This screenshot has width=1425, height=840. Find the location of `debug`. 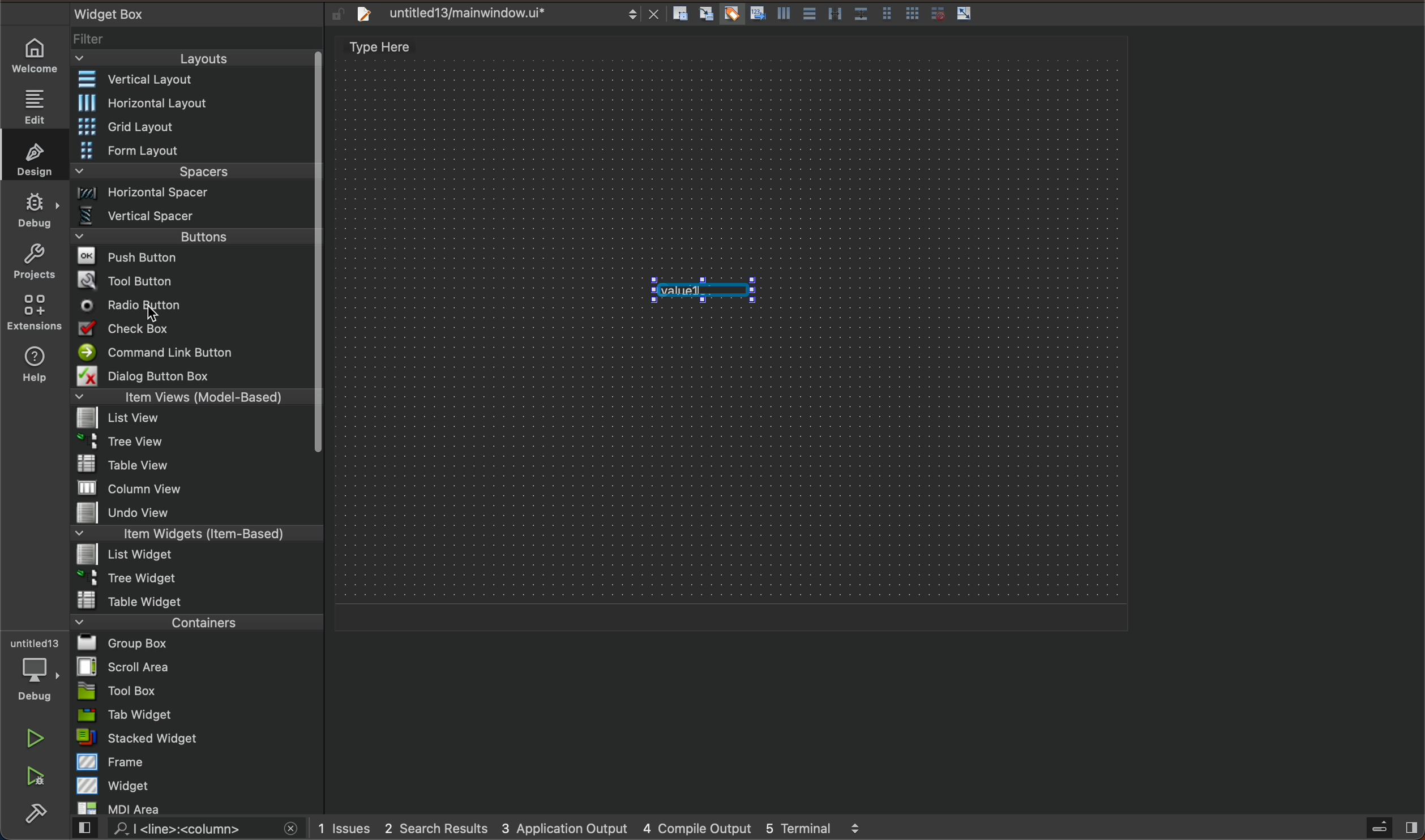

debug is located at coordinates (36, 209).